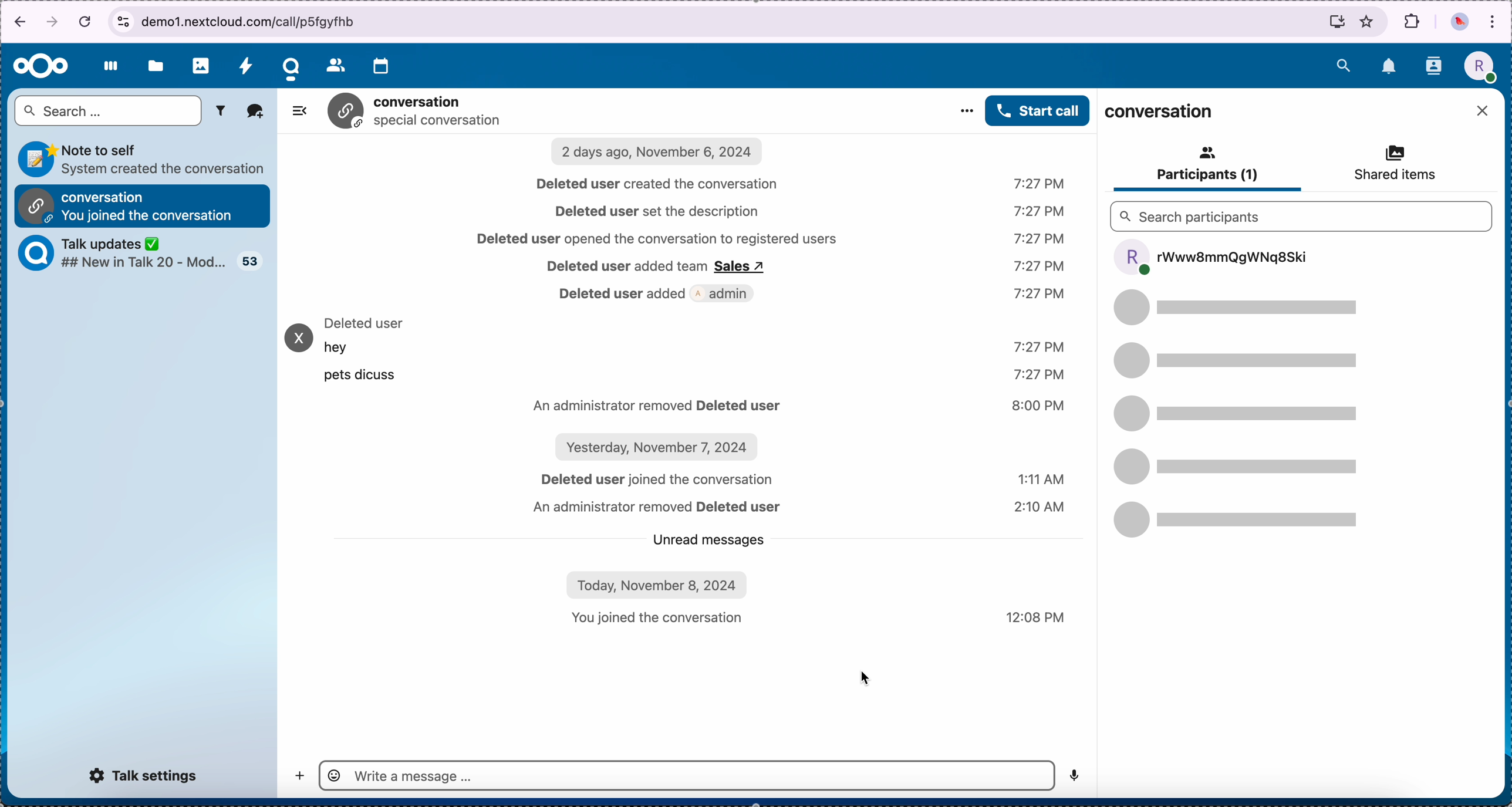 The width and height of the screenshot is (1512, 807). What do you see at coordinates (157, 64) in the screenshot?
I see `files` at bounding box center [157, 64].